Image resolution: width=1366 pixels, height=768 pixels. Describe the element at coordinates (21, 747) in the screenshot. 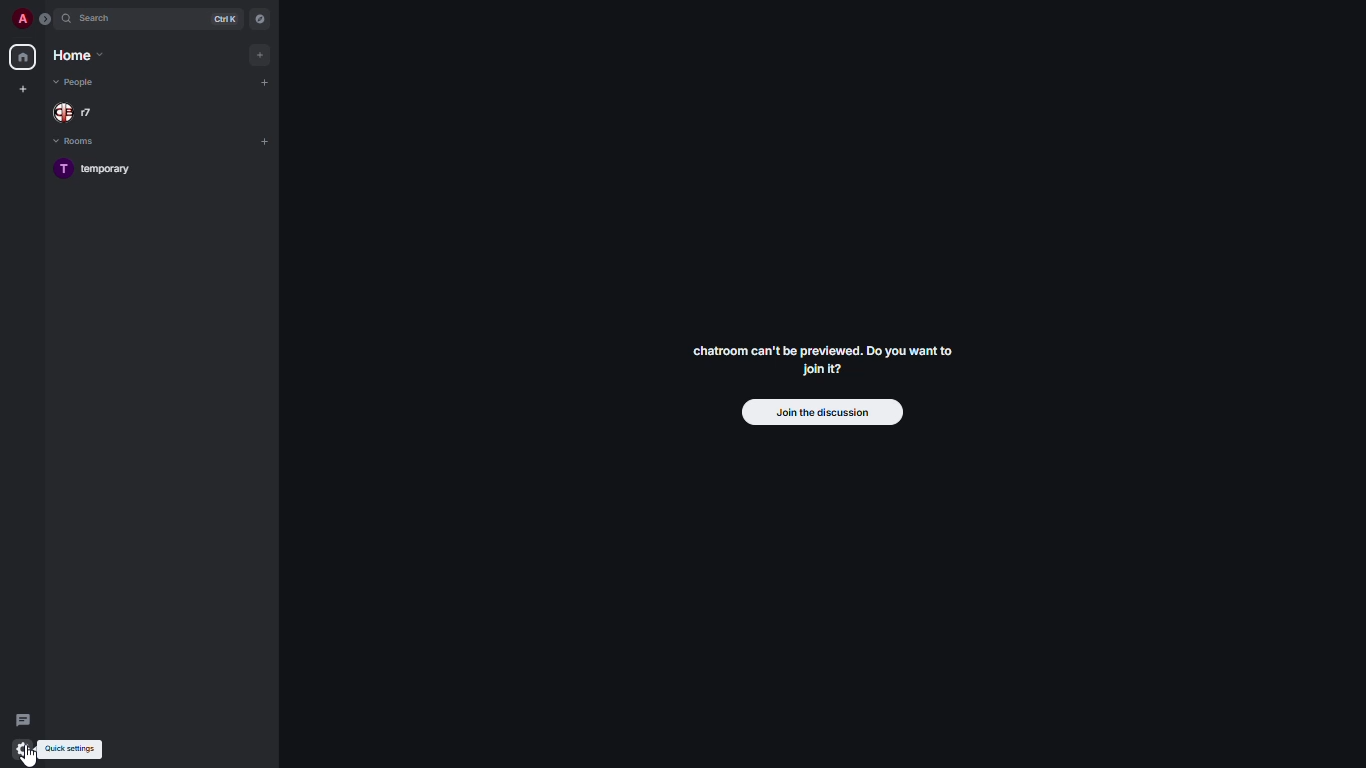

I see `quick settings` at that location.